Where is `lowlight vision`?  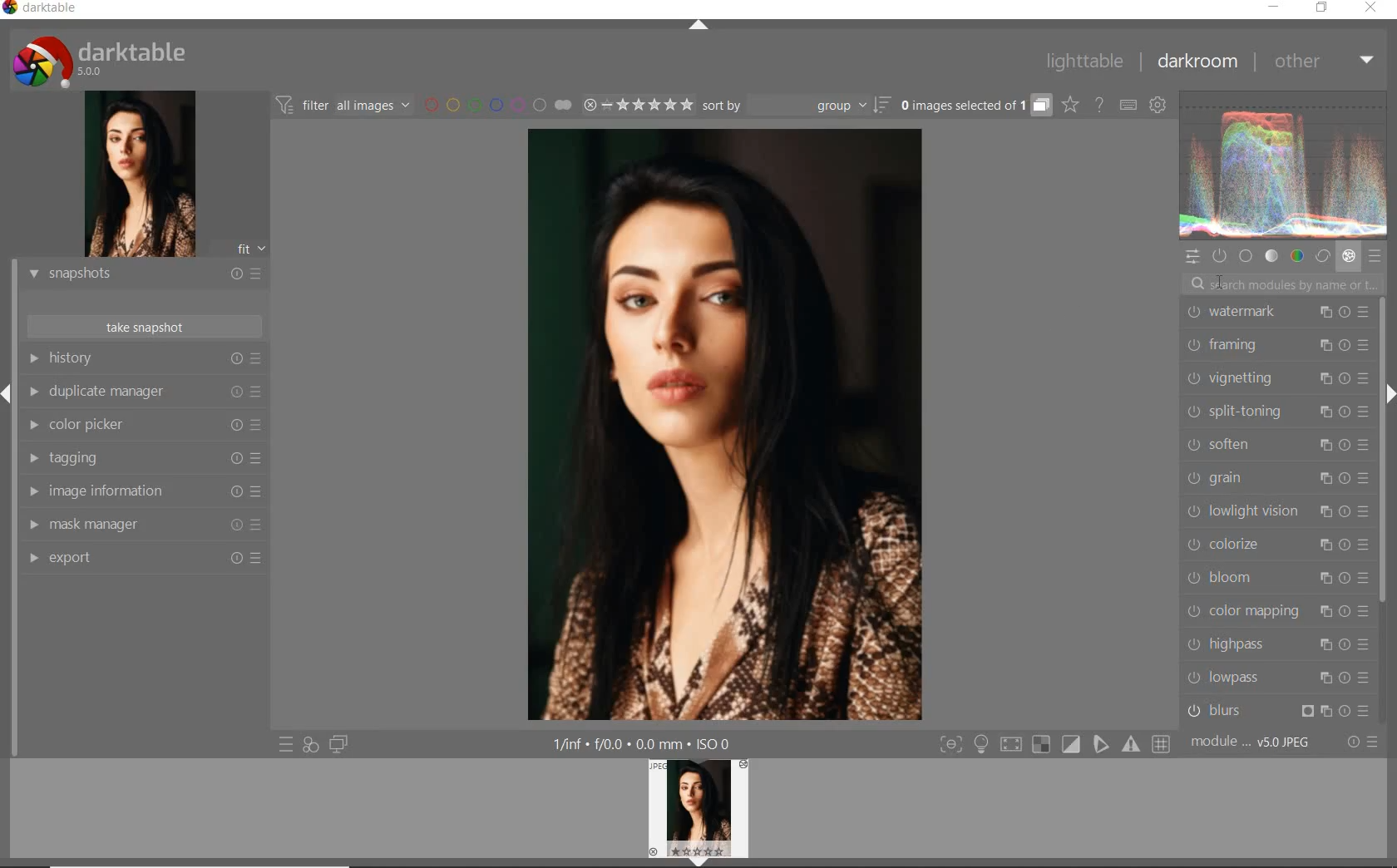 lowlight vision is located at coordinates (1275, 510).